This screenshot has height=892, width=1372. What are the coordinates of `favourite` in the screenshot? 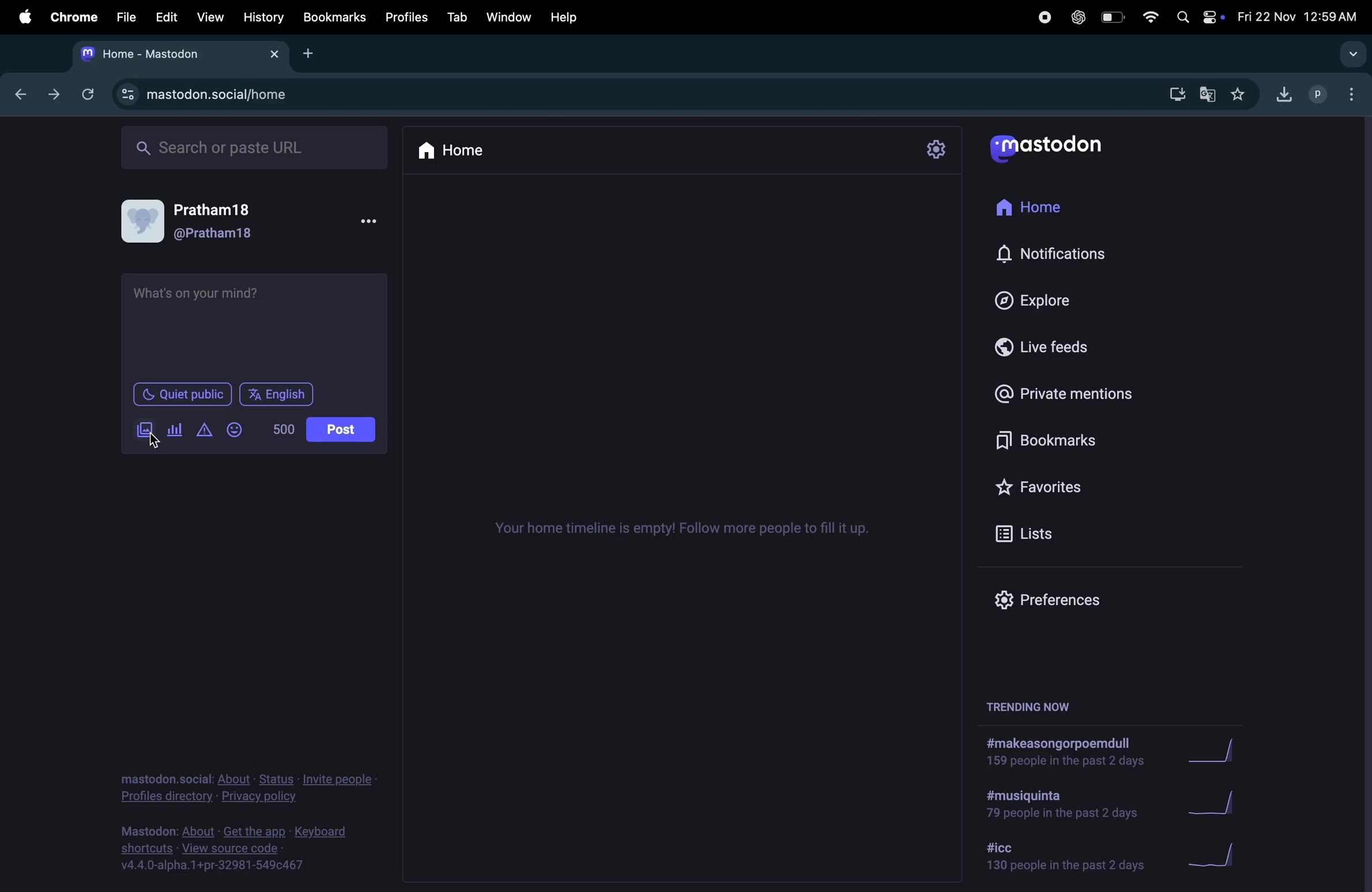 It's located at (1242, 95).